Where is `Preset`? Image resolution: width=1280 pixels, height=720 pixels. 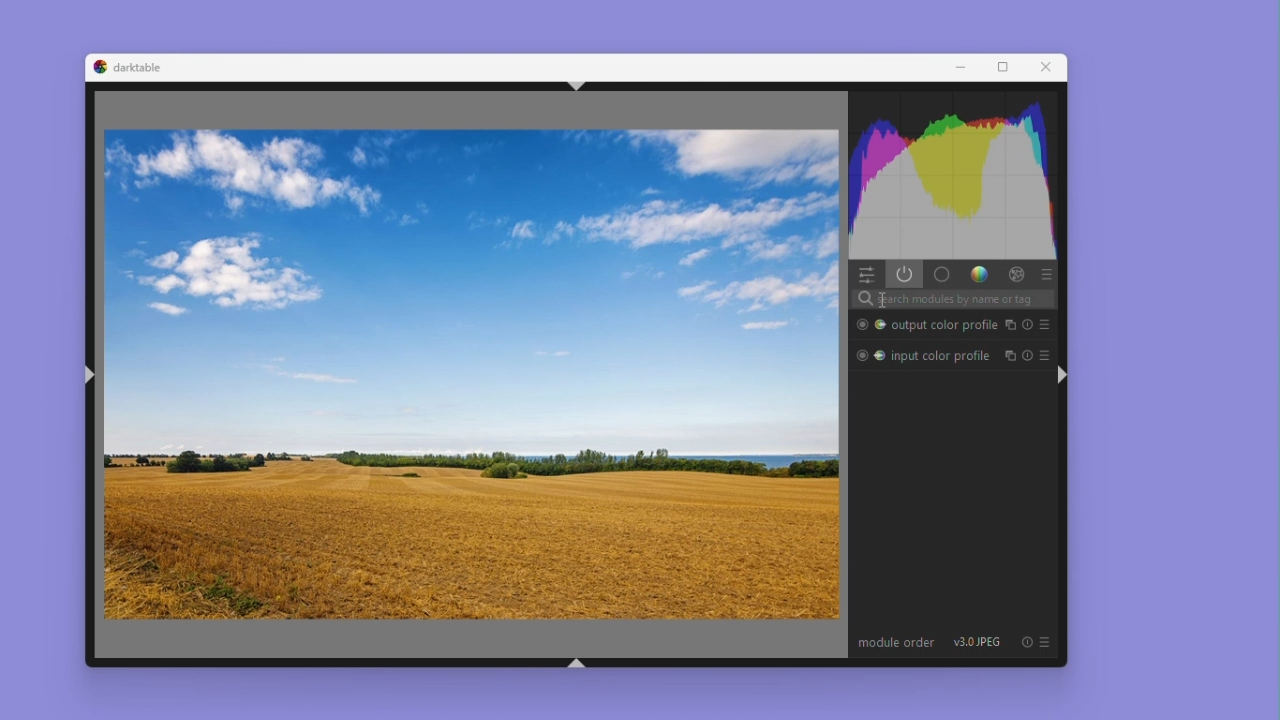
Preset is located at coordinates (1045, 324).